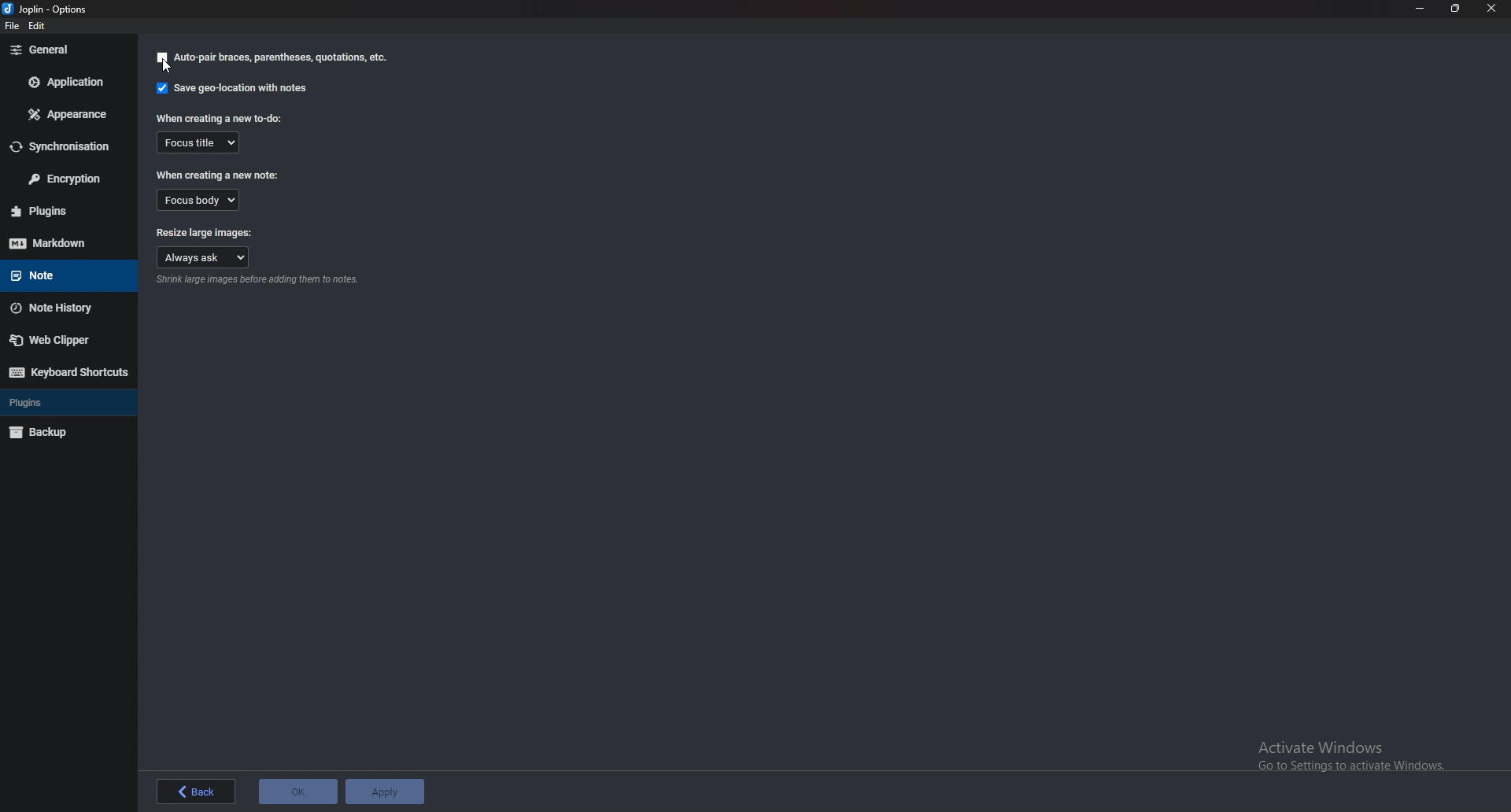 The image size is (1511, 812). I want to click on file, so click(13, 28).